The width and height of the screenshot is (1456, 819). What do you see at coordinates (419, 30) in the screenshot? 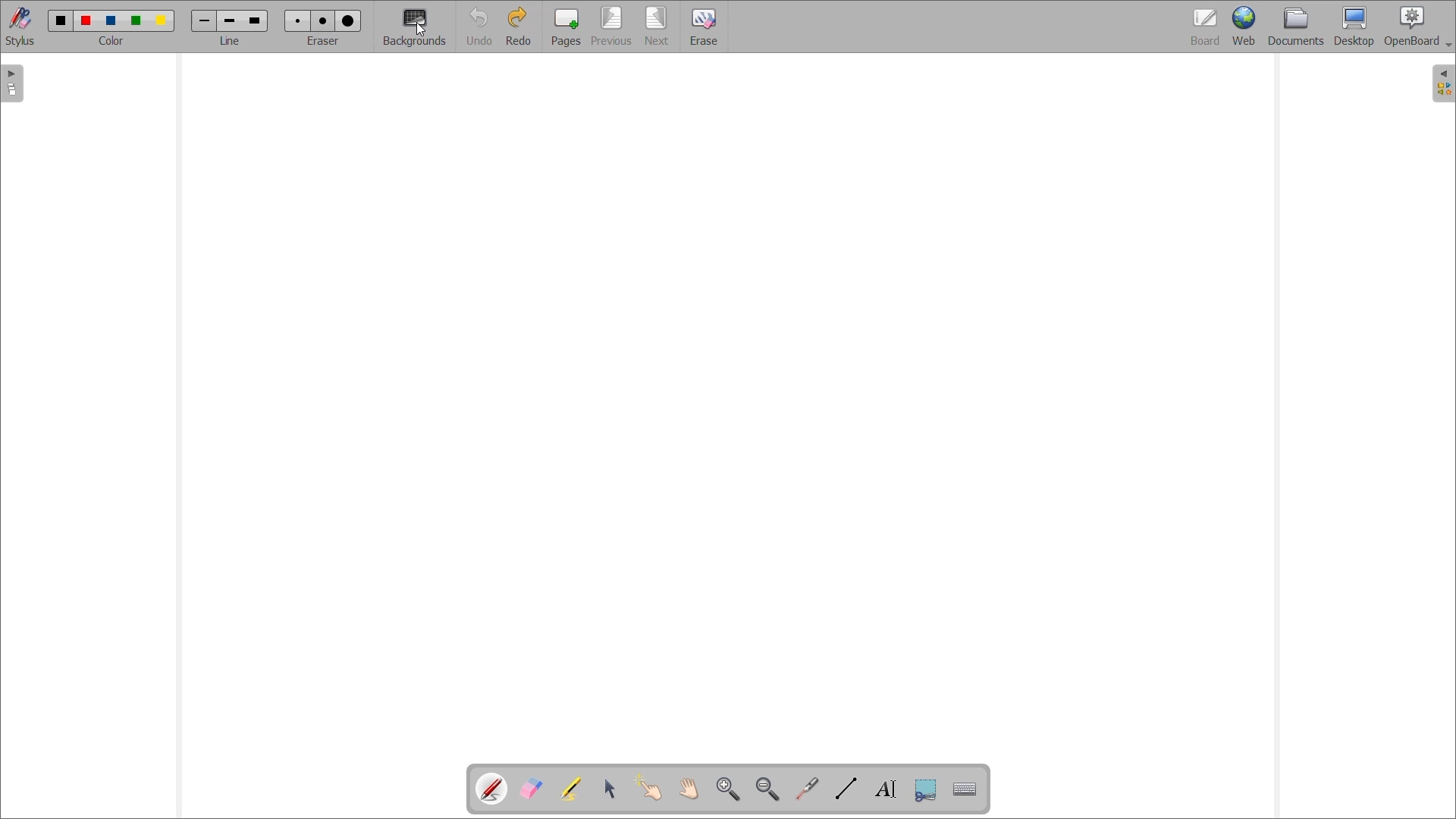
I see `Cursor clicking on change background icon` at bounding box center [419, 30].